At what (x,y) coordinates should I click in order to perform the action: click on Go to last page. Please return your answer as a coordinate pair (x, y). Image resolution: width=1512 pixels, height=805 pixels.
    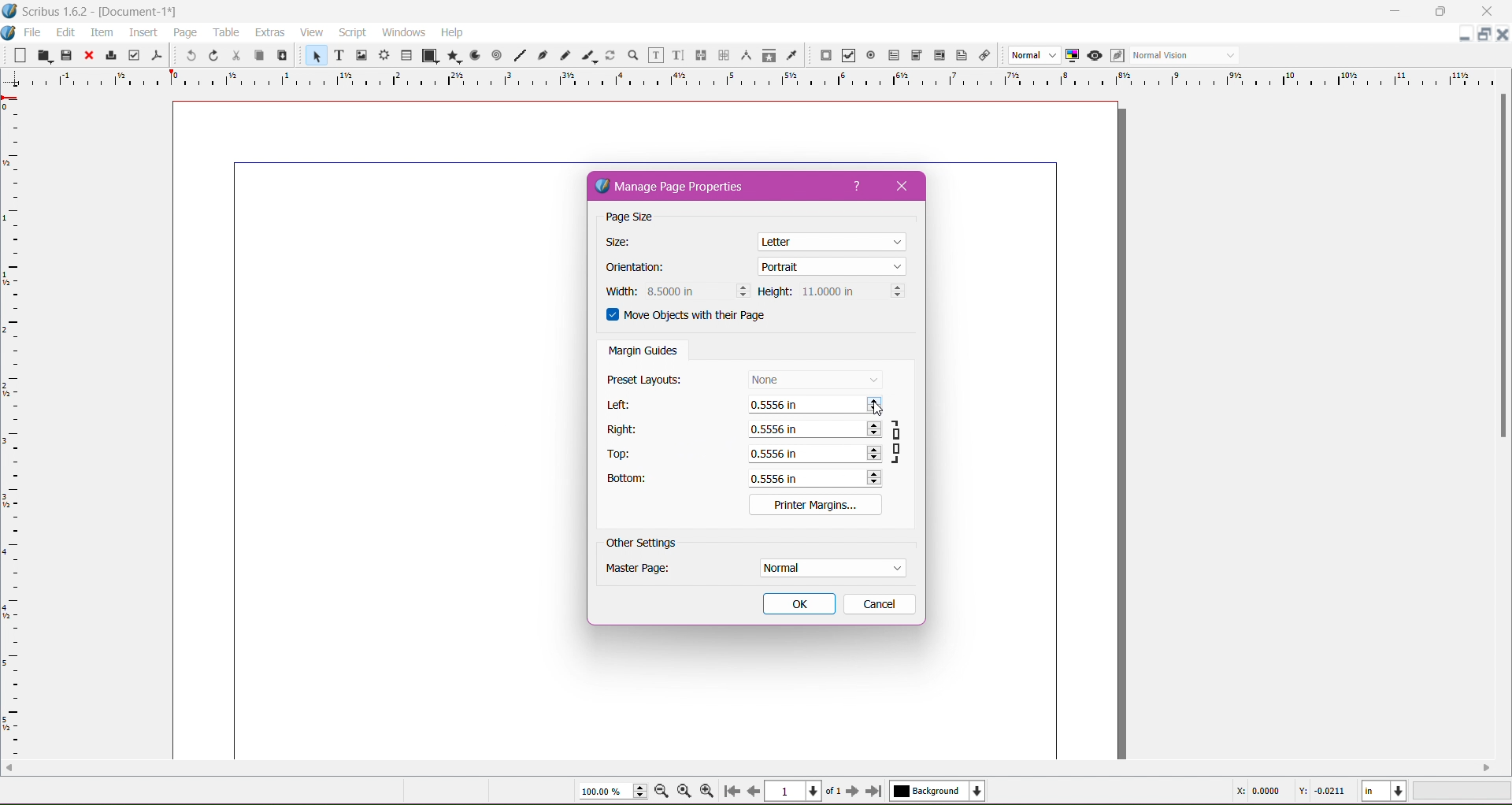
    Looking at the image, I should click on (875, 792).